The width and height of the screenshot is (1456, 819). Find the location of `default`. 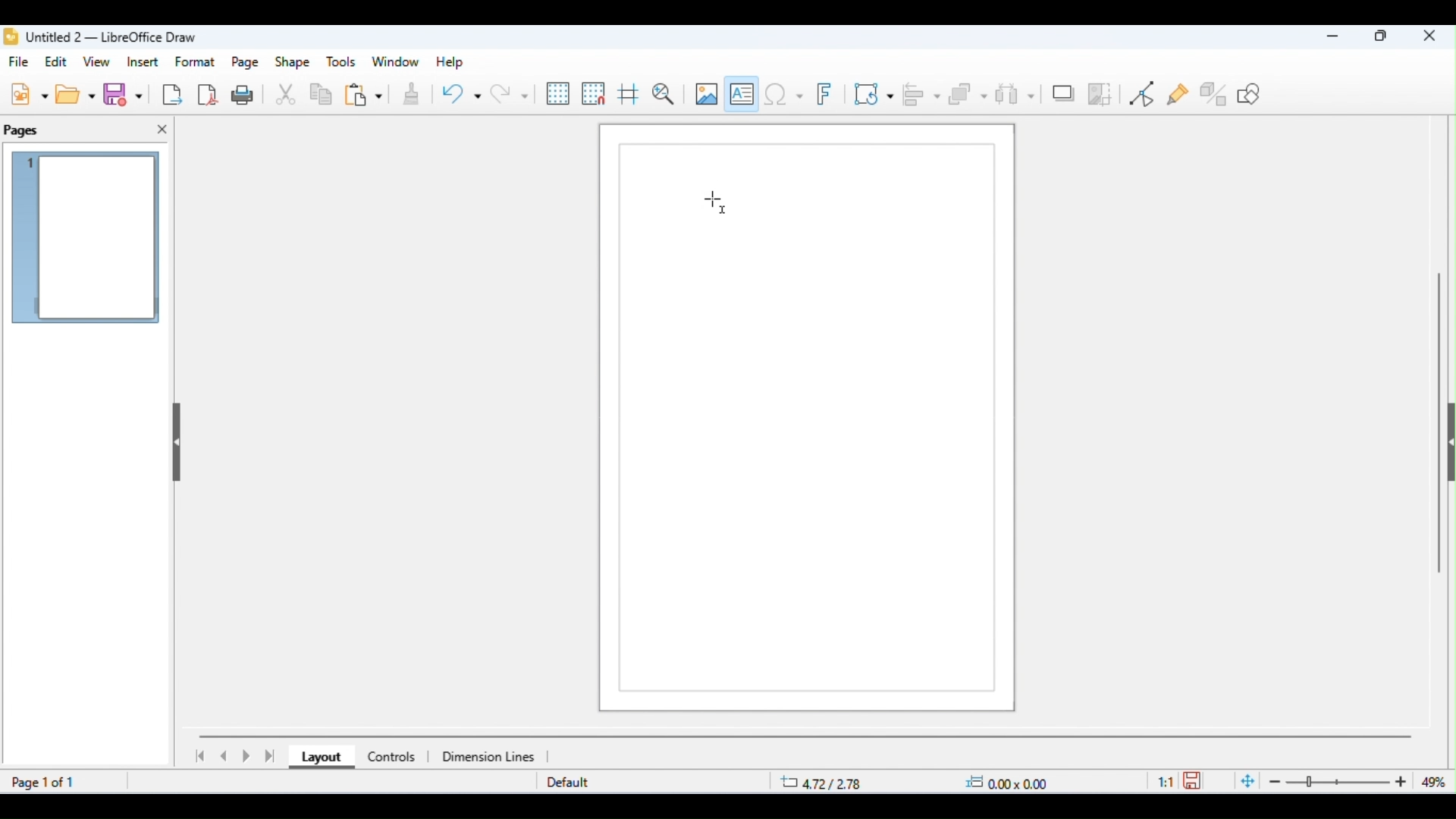

default is located at coordinates (568, 783).